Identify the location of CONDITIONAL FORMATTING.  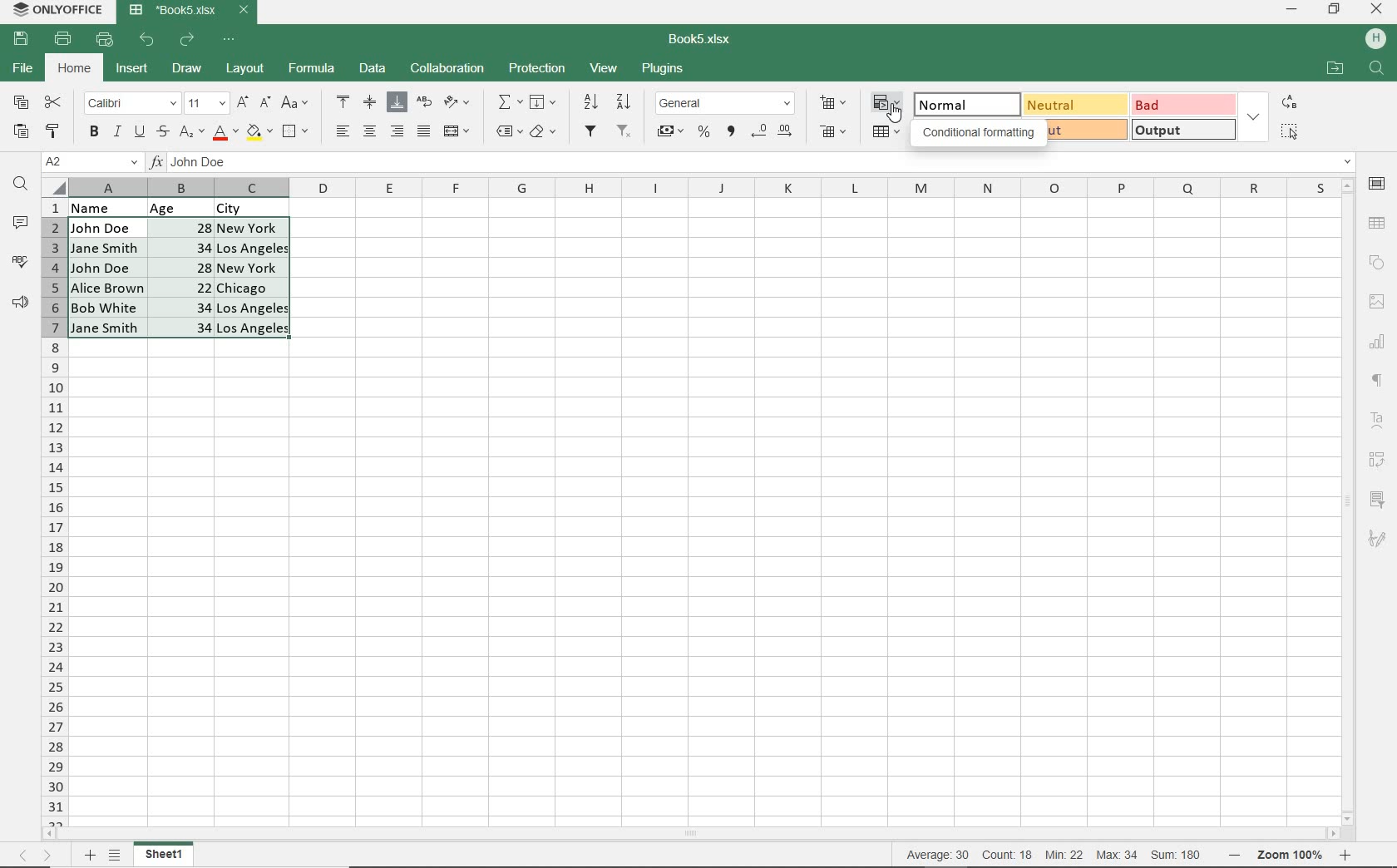
(978, 132).